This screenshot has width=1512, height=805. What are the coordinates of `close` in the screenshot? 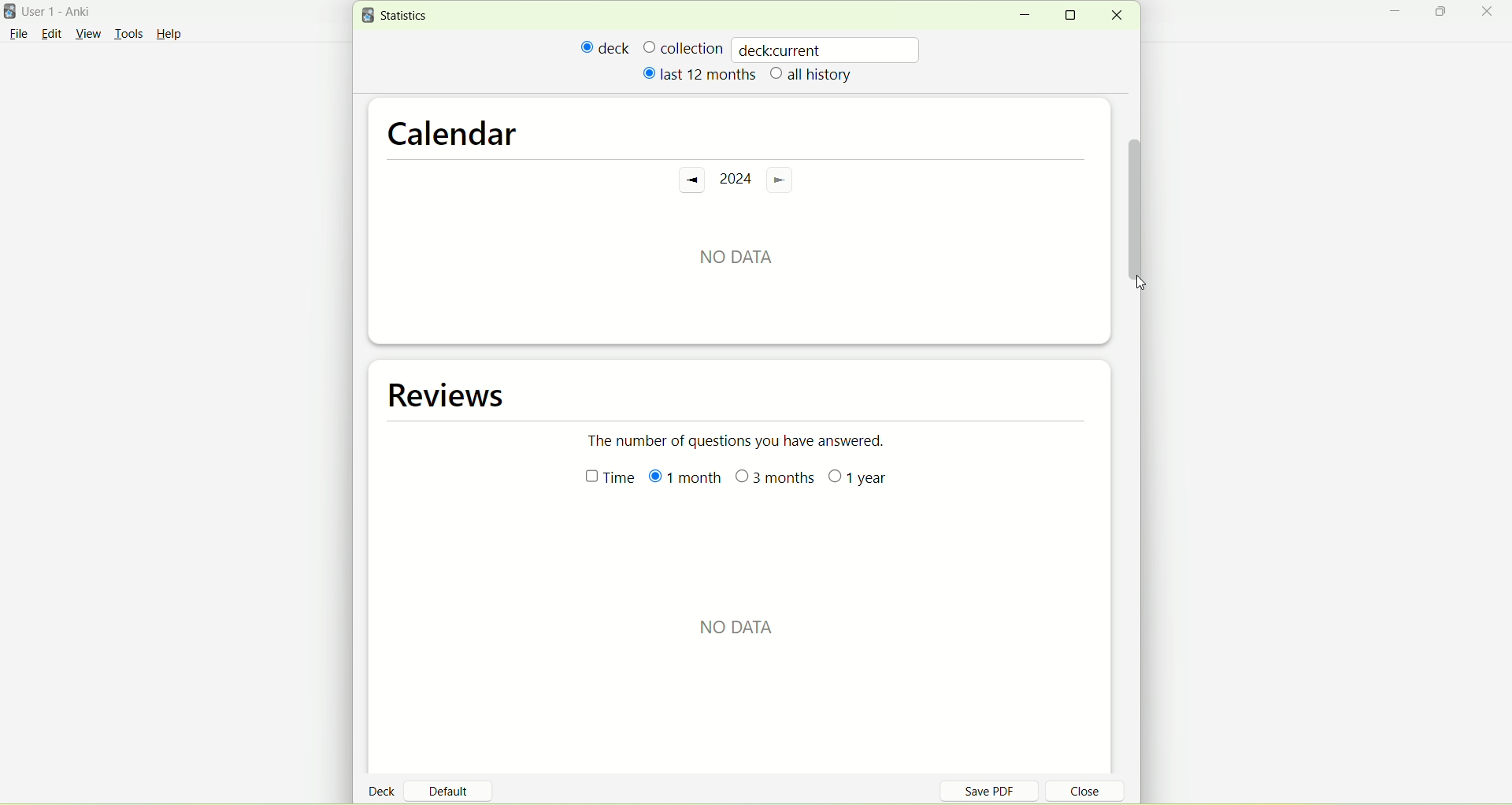 It's located at (1076, 793).